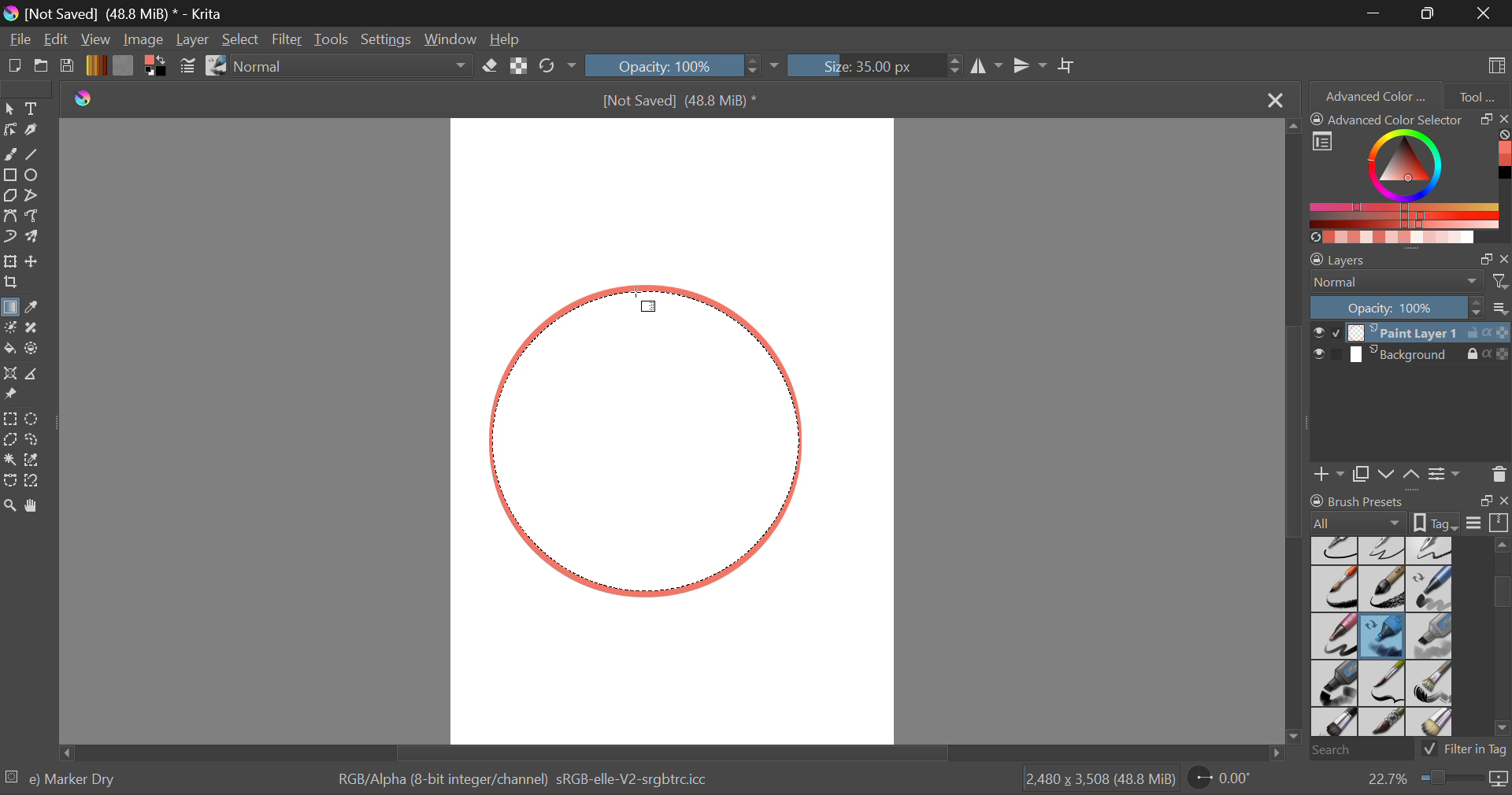 The width and height of the screenshot is (1512, 795). Describe the element at coordinates (1410, 256) in the screenshot. I see `Layer Settings` at that location.